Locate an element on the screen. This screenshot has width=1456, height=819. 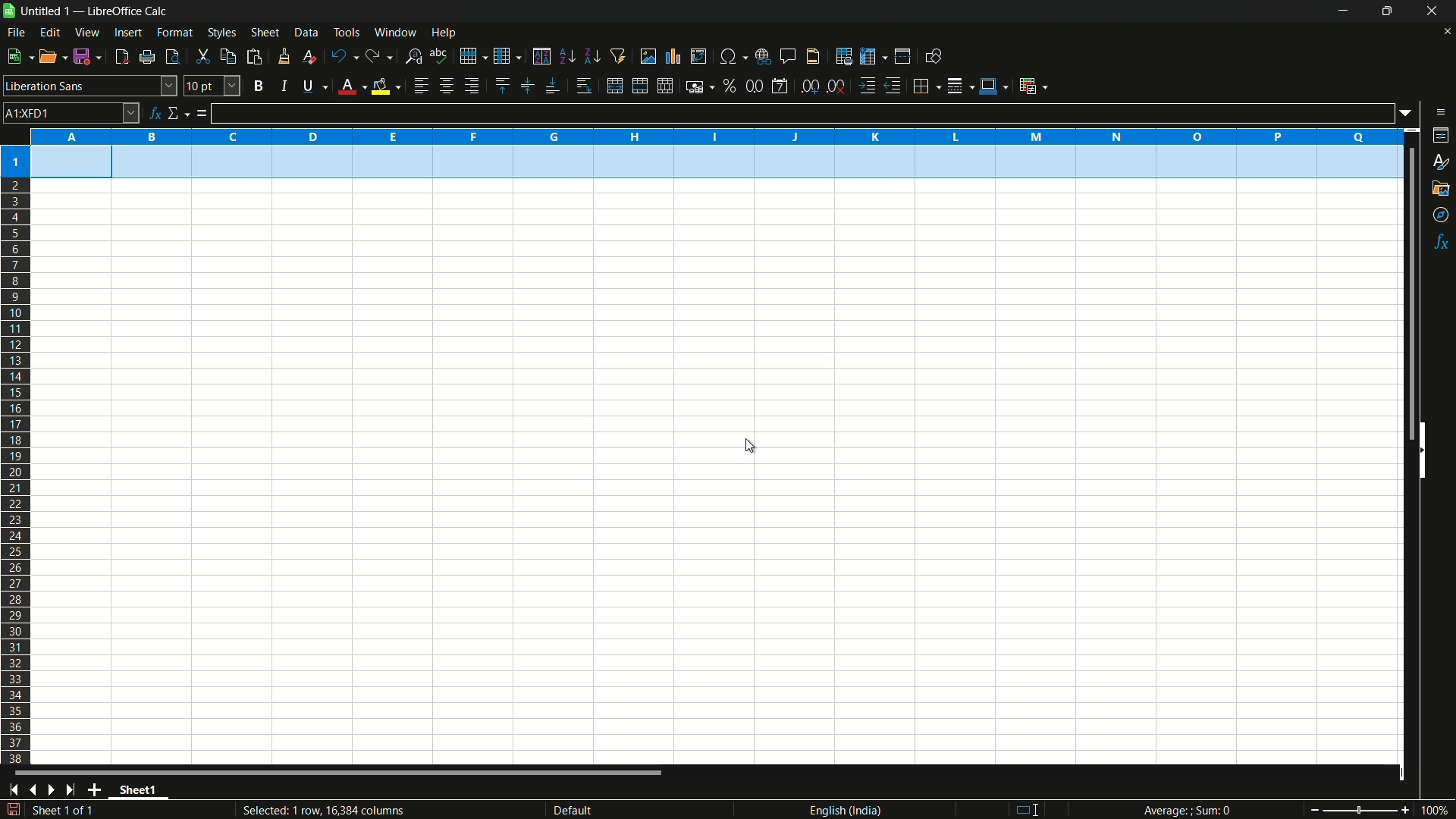
insert or edit pivot table is located at coordinates (698, 56).